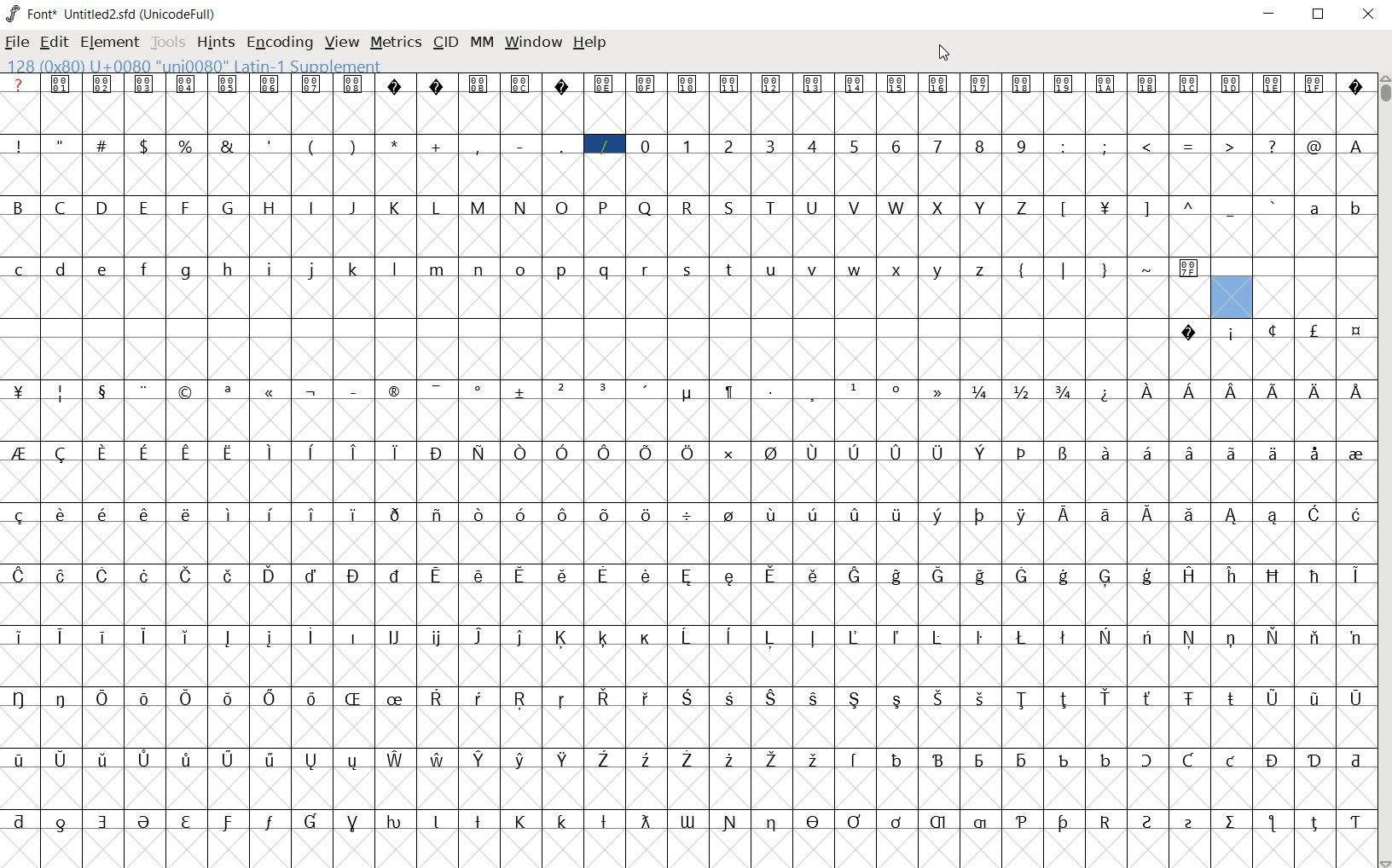  Describe the element at coordinates (728, 454) in the screenshot. I see `glyph` at that location.